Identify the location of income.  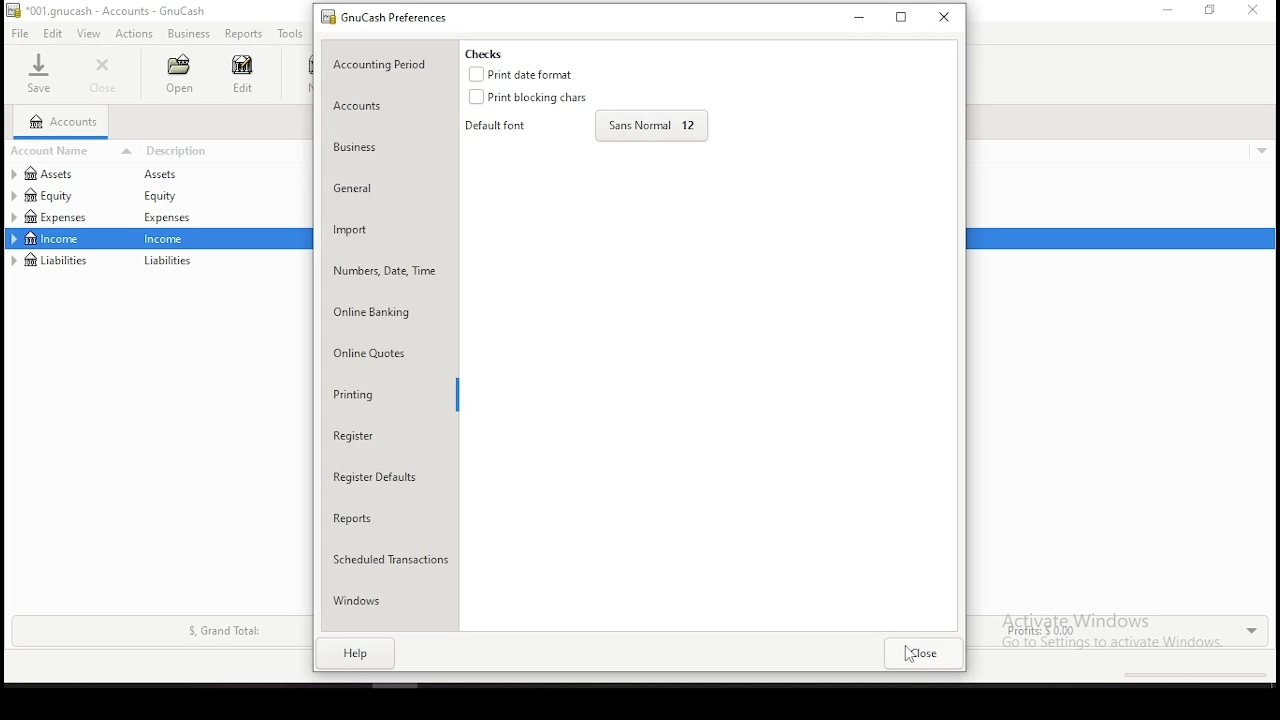
(54, 238).